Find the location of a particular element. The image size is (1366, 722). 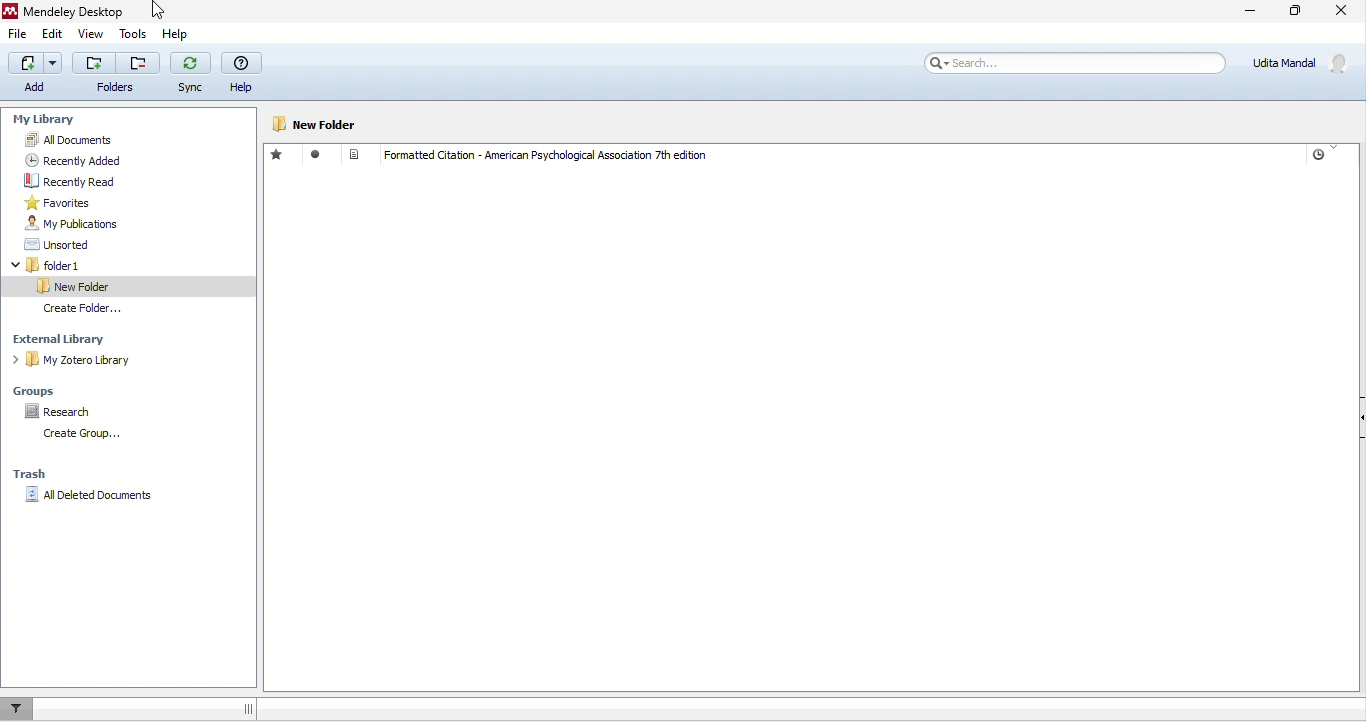

edit is located at coordinates (55, 35).